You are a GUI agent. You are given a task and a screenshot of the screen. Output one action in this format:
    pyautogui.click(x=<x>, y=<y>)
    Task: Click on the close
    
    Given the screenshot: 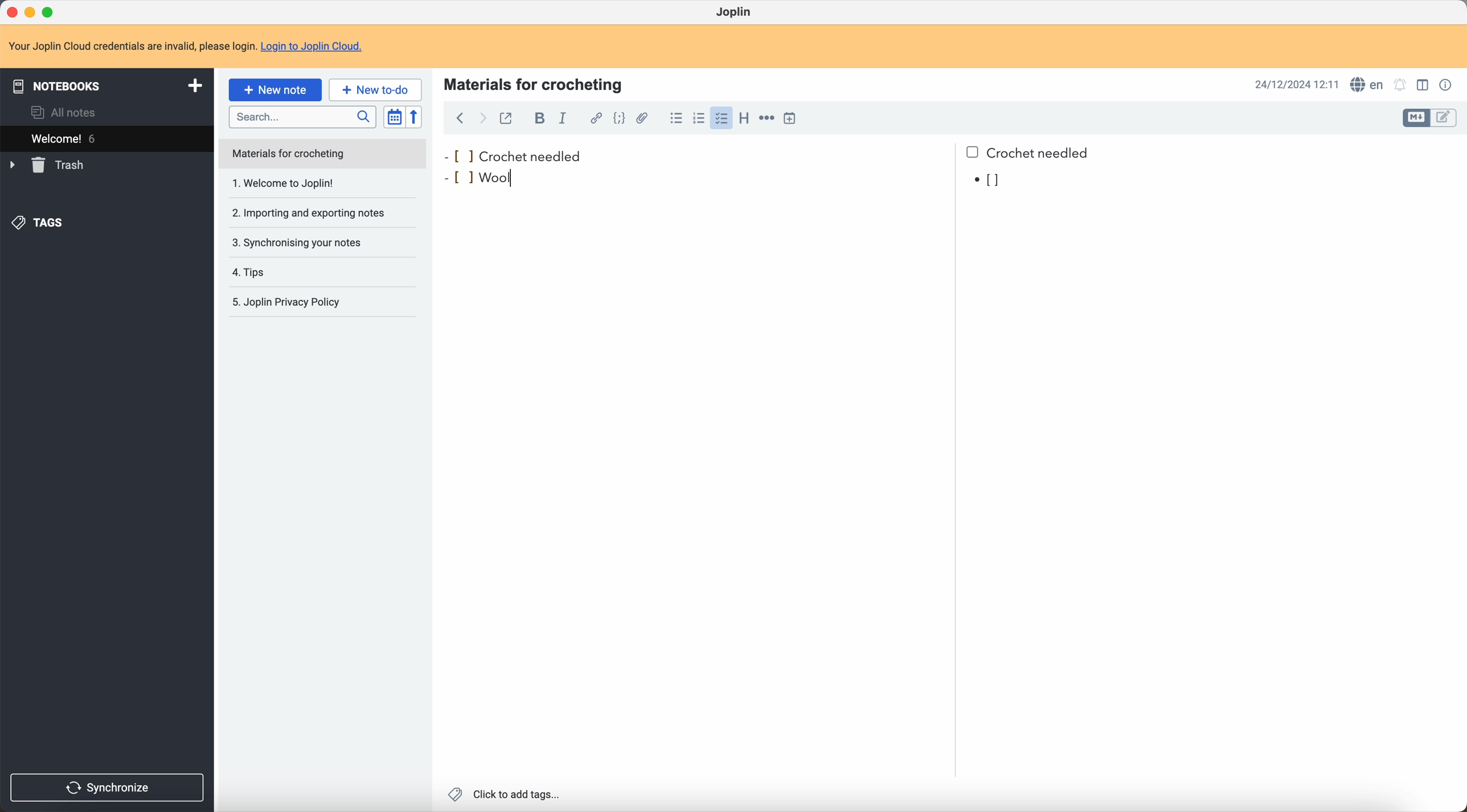 What is the action you would take?
    pyautogui.click(x=14, y=12)
    